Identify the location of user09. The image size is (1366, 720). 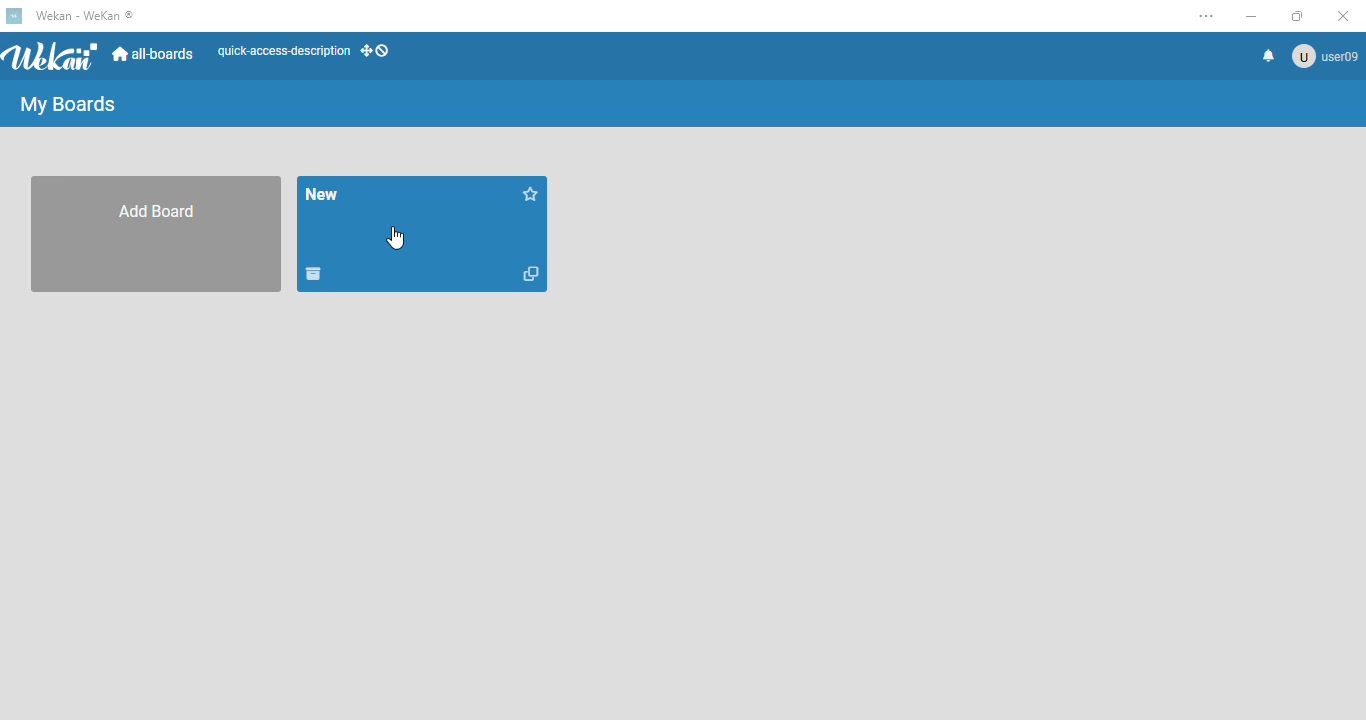
(1324, 56).